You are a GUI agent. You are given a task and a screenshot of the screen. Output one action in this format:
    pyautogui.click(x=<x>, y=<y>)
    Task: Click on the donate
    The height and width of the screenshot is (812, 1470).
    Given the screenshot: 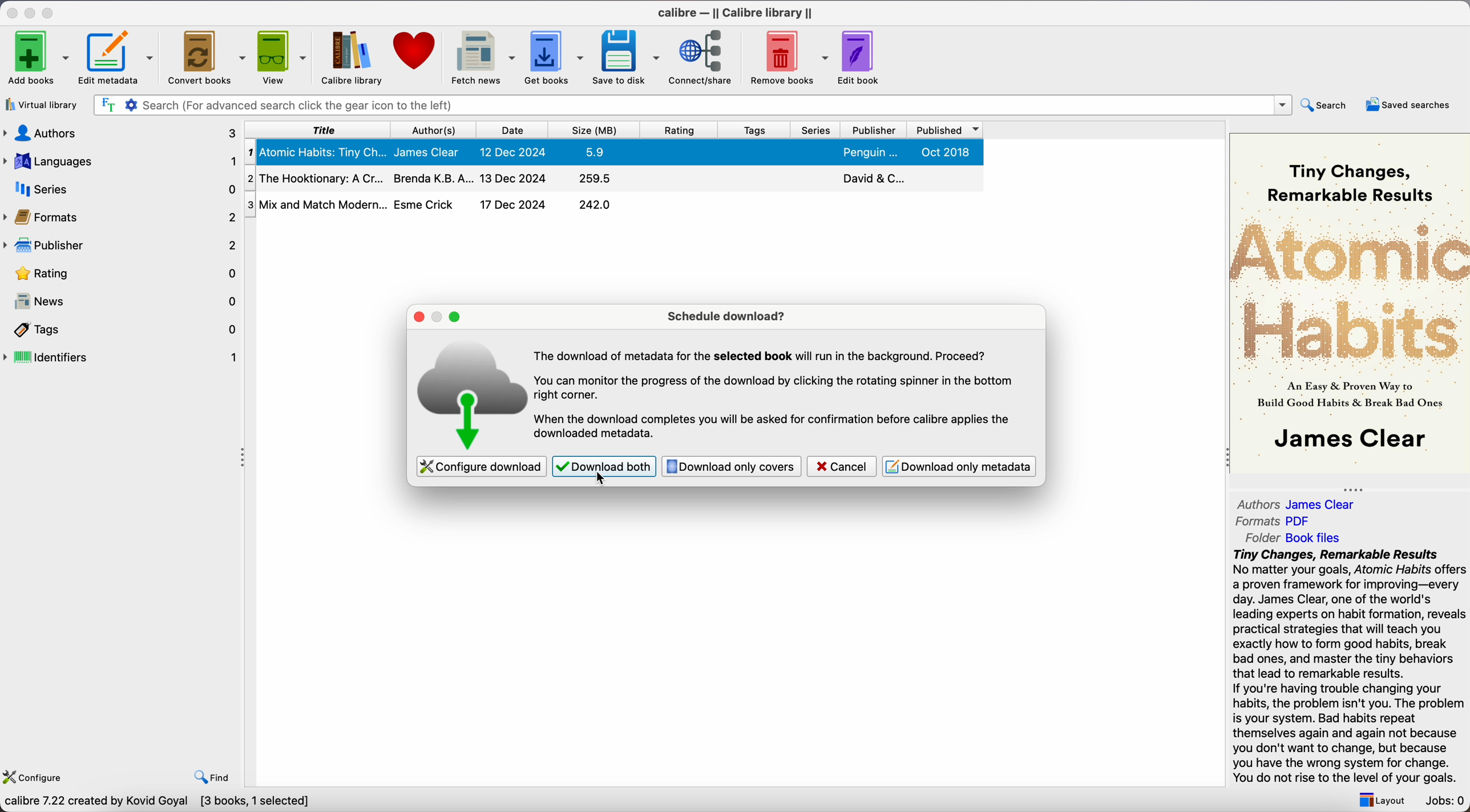 What is the action you would take?
    pyautogui.click(x=417, y=51)
    